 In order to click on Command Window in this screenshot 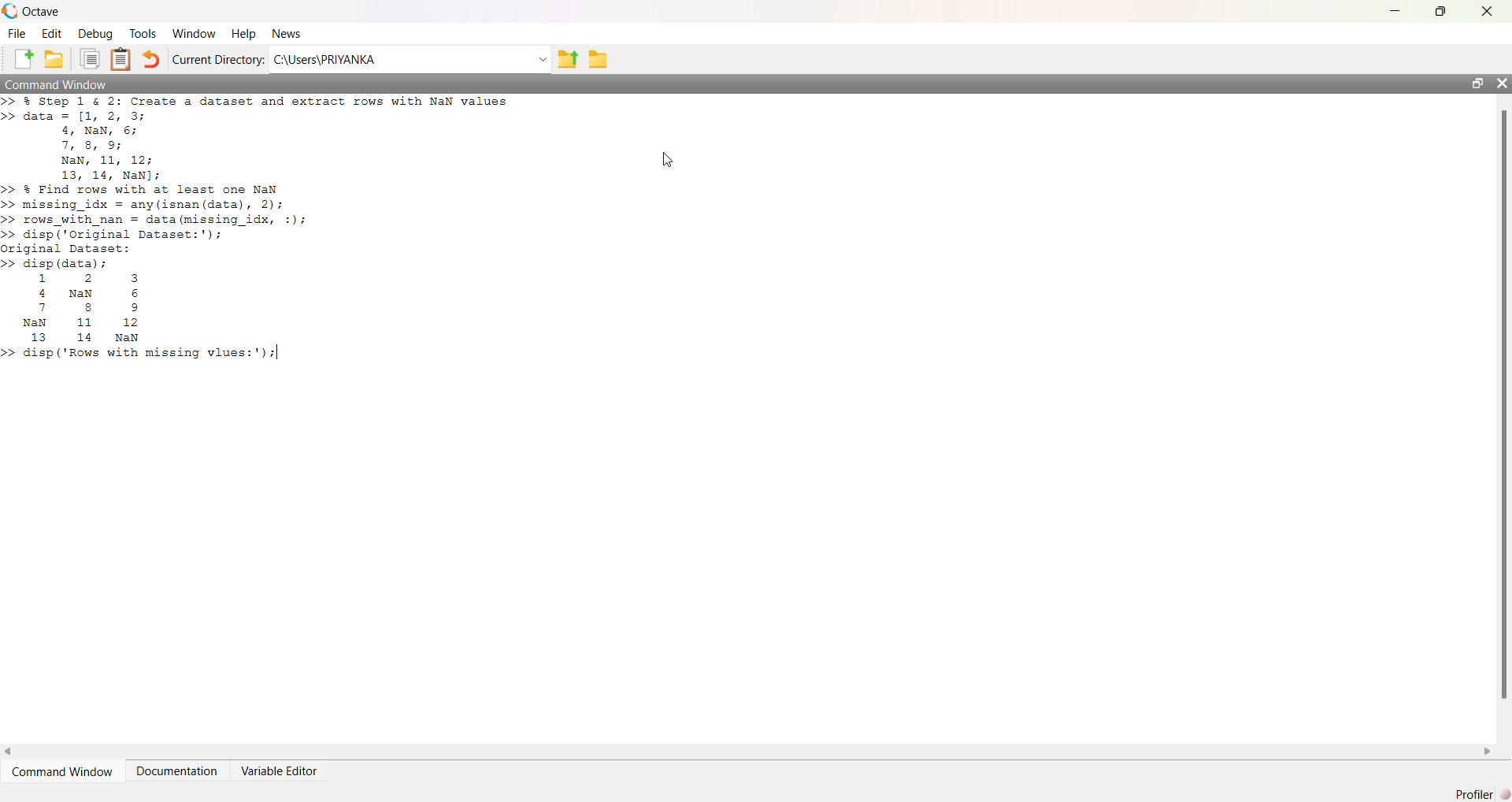, I will do `click(62, 772)`.